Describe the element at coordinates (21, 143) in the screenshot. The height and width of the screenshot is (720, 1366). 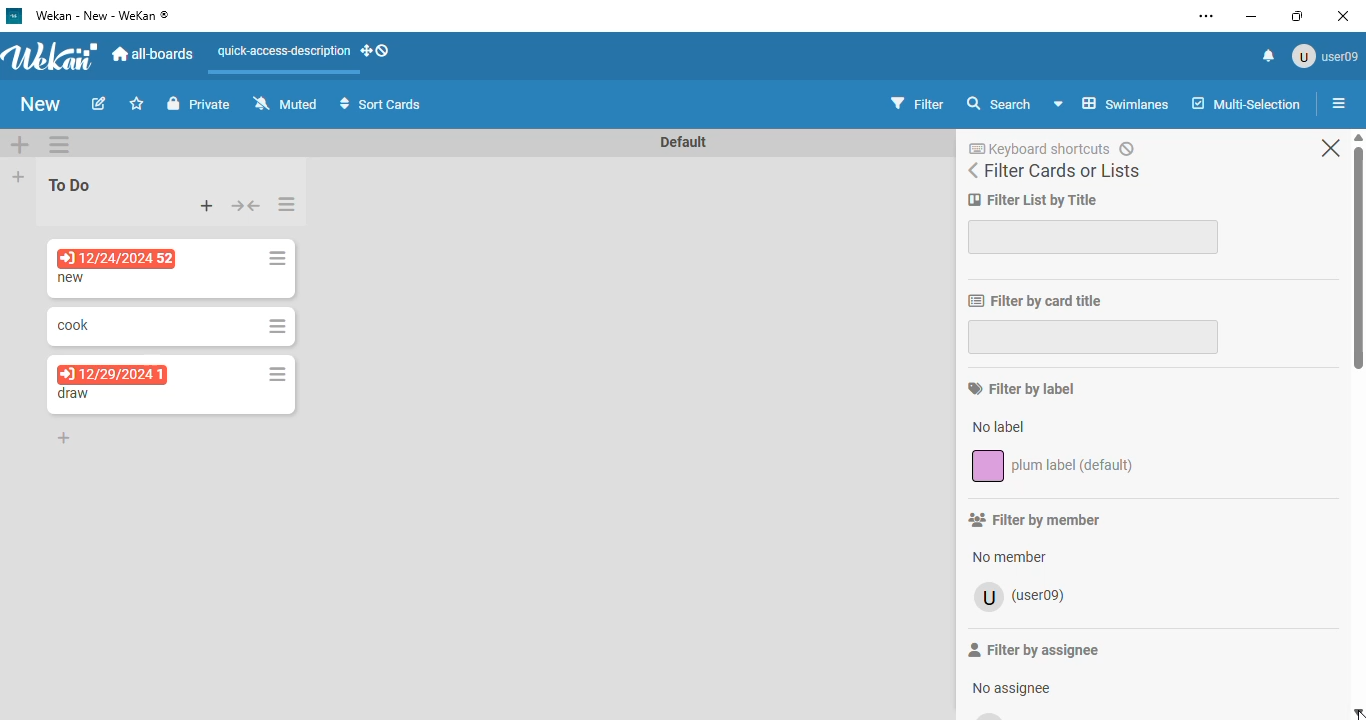
I see `add swimlane` at that location.